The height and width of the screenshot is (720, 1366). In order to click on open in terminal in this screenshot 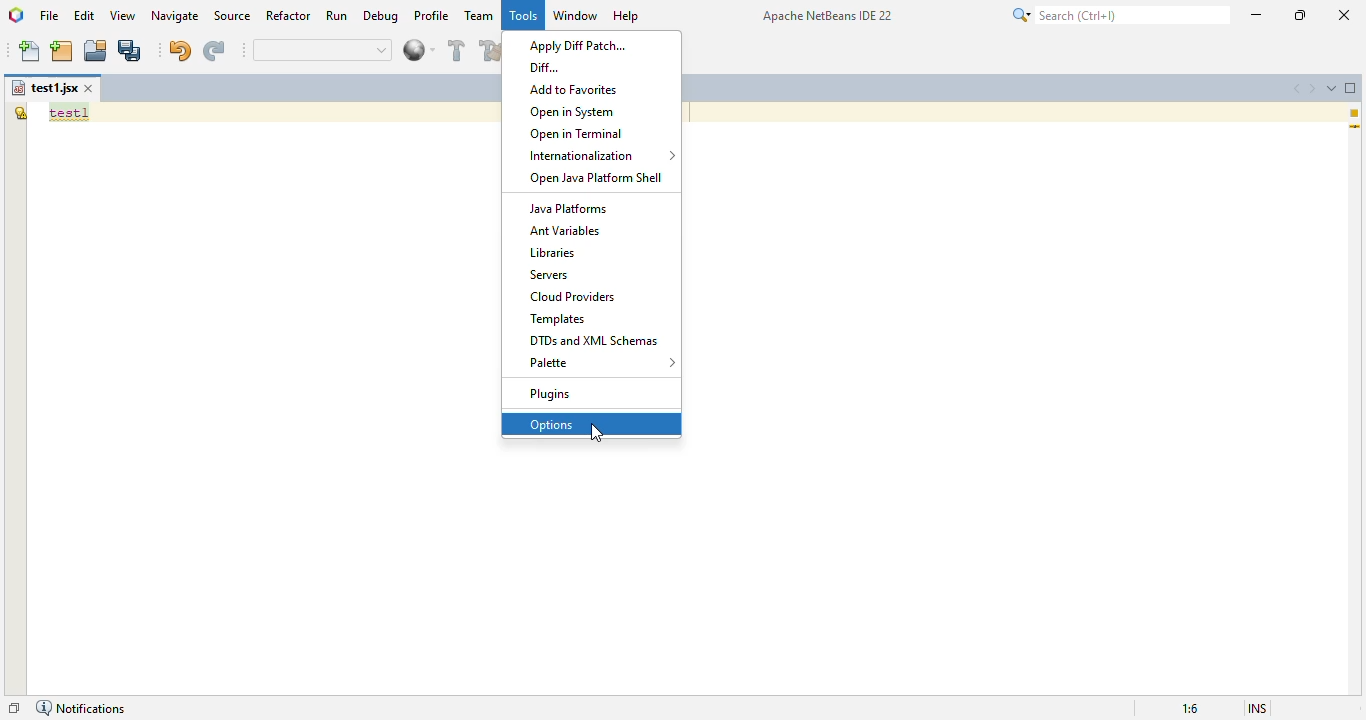, I will do `click(578, 134)`.